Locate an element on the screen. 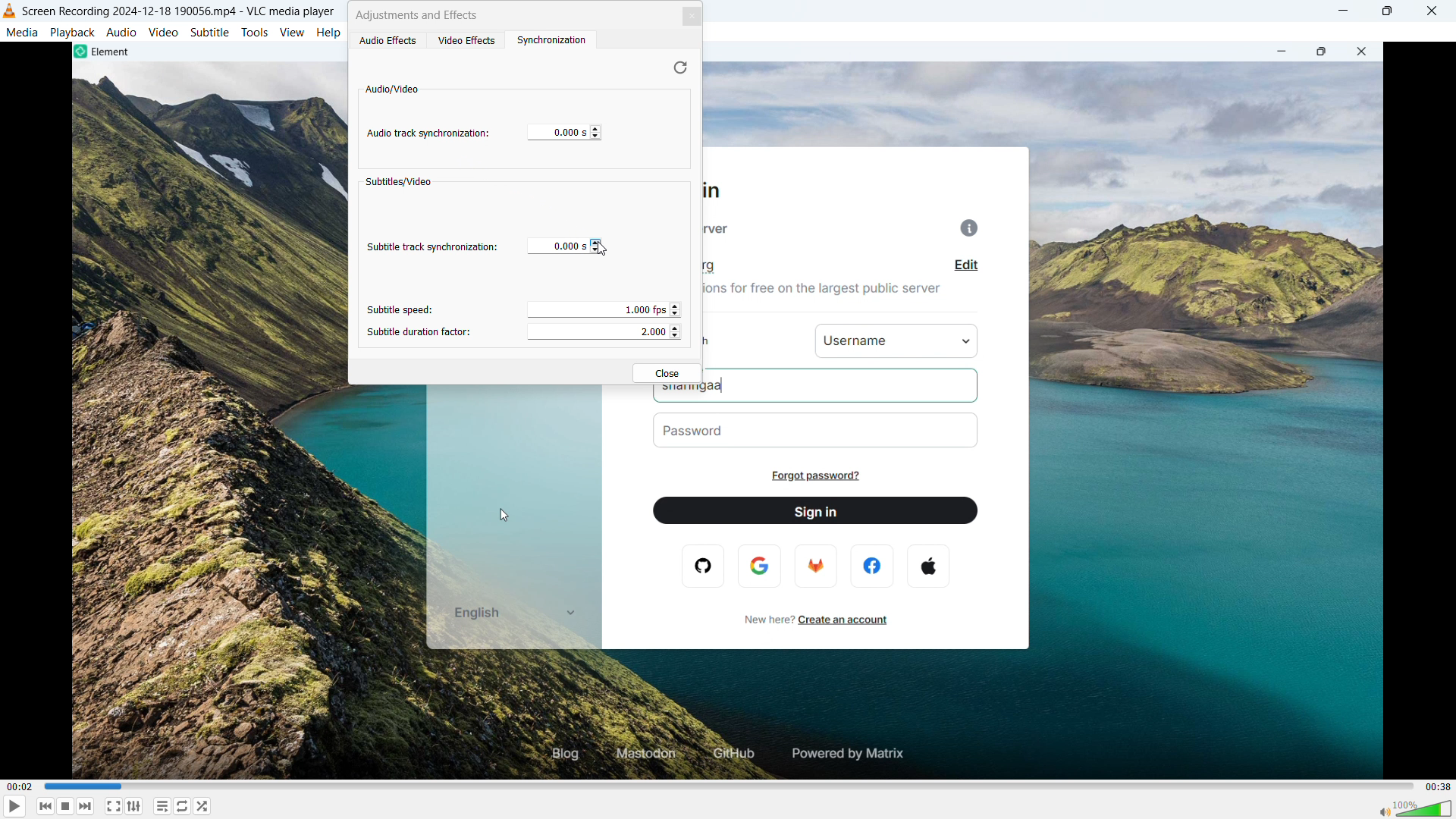 This screenshot has width=1456, height=819. media is located at coordinates (24, 33).